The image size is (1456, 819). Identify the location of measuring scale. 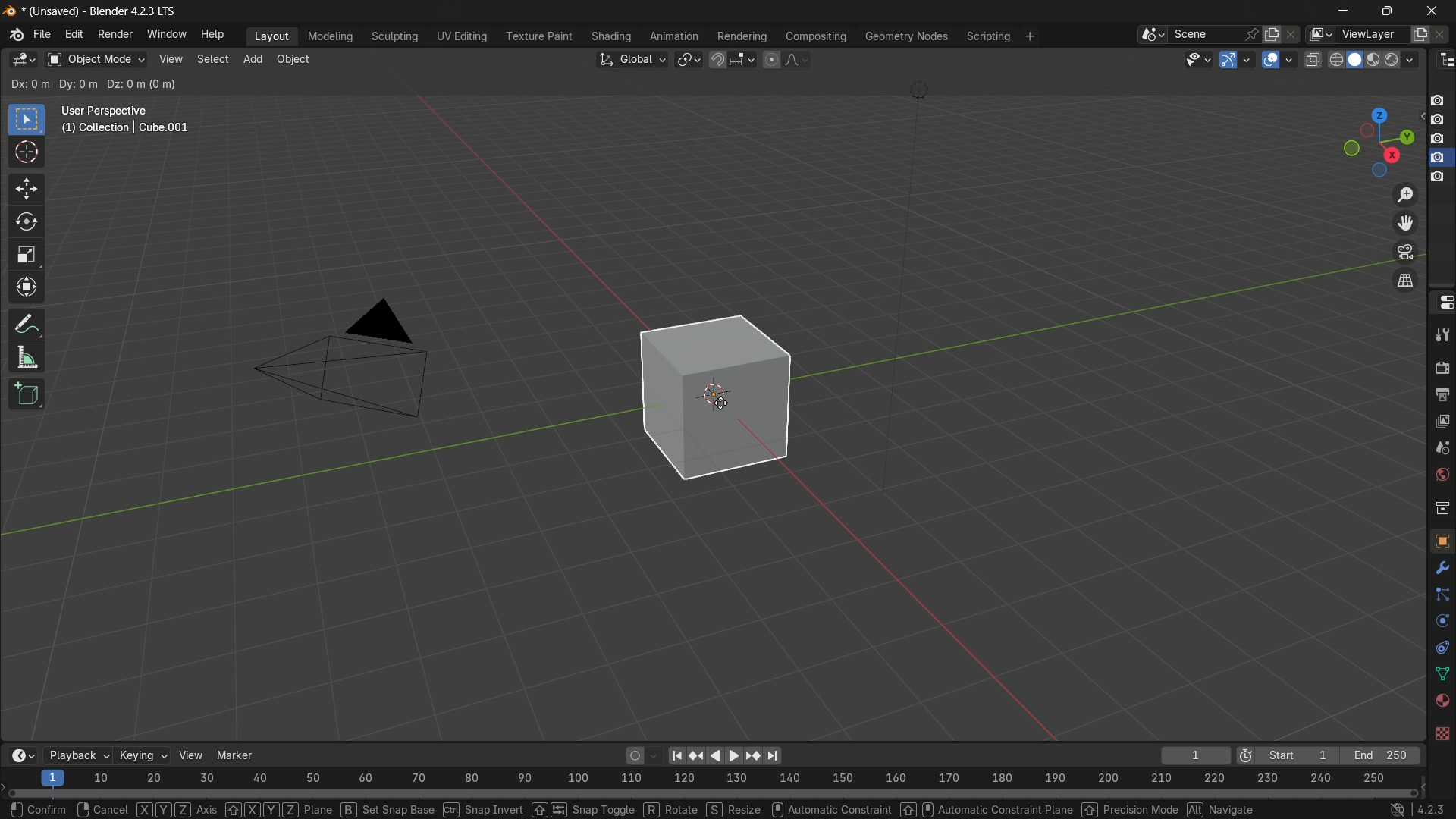
(707, 780).